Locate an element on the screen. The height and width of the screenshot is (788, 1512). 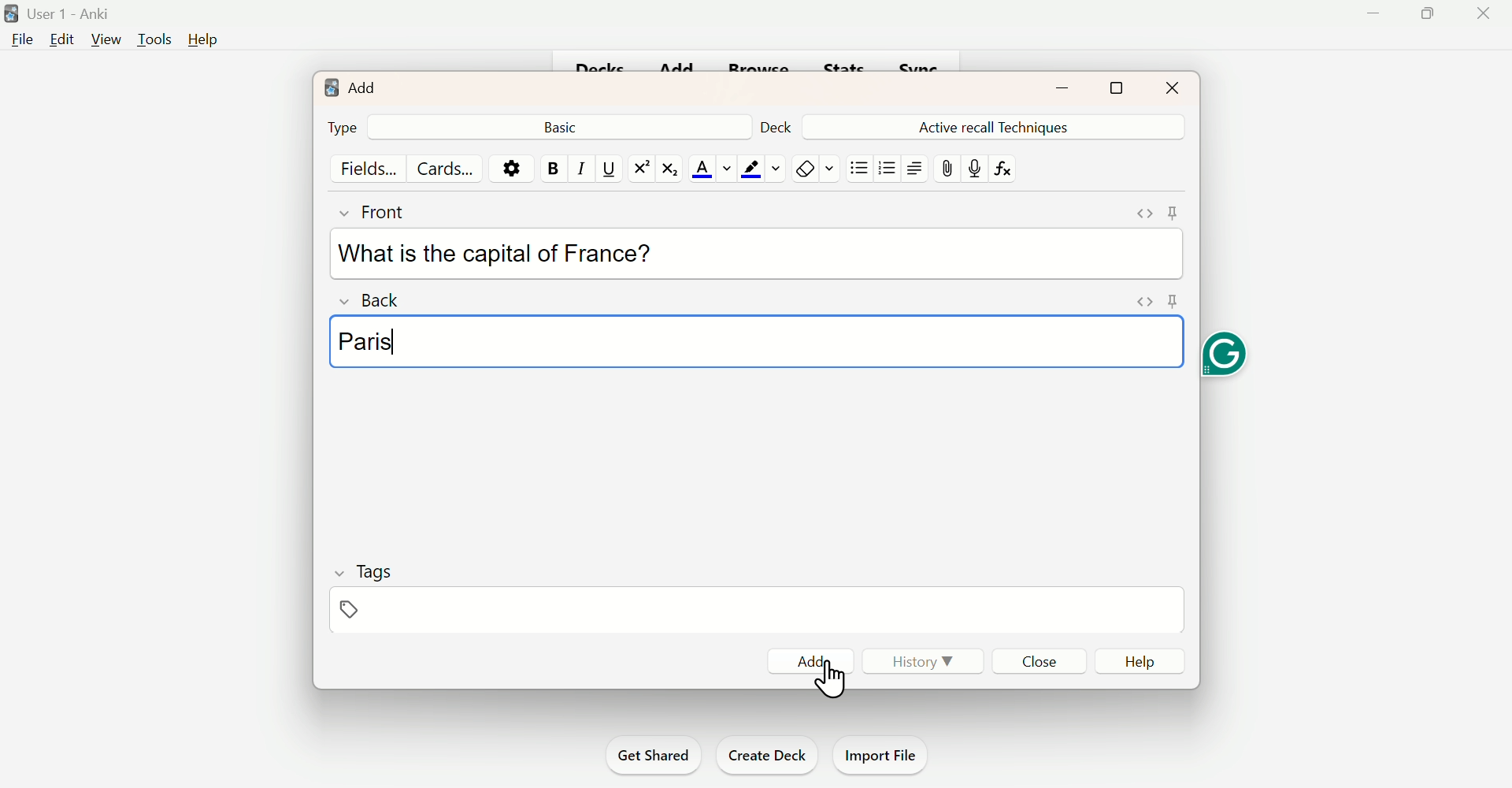
logo is located at coordinates (325, 84).